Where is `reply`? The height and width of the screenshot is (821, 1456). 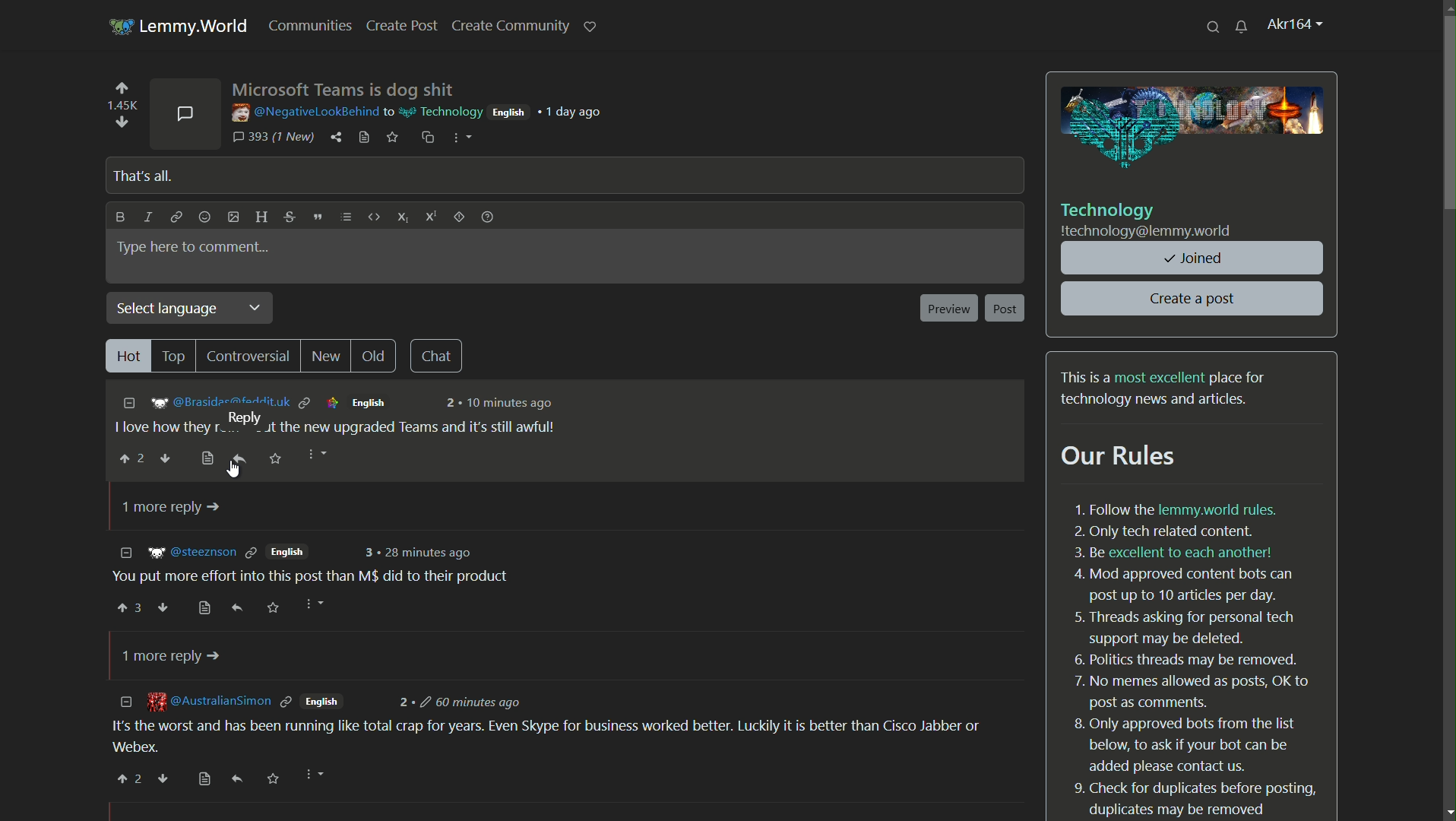 reply is located at coordinates (240, 458).